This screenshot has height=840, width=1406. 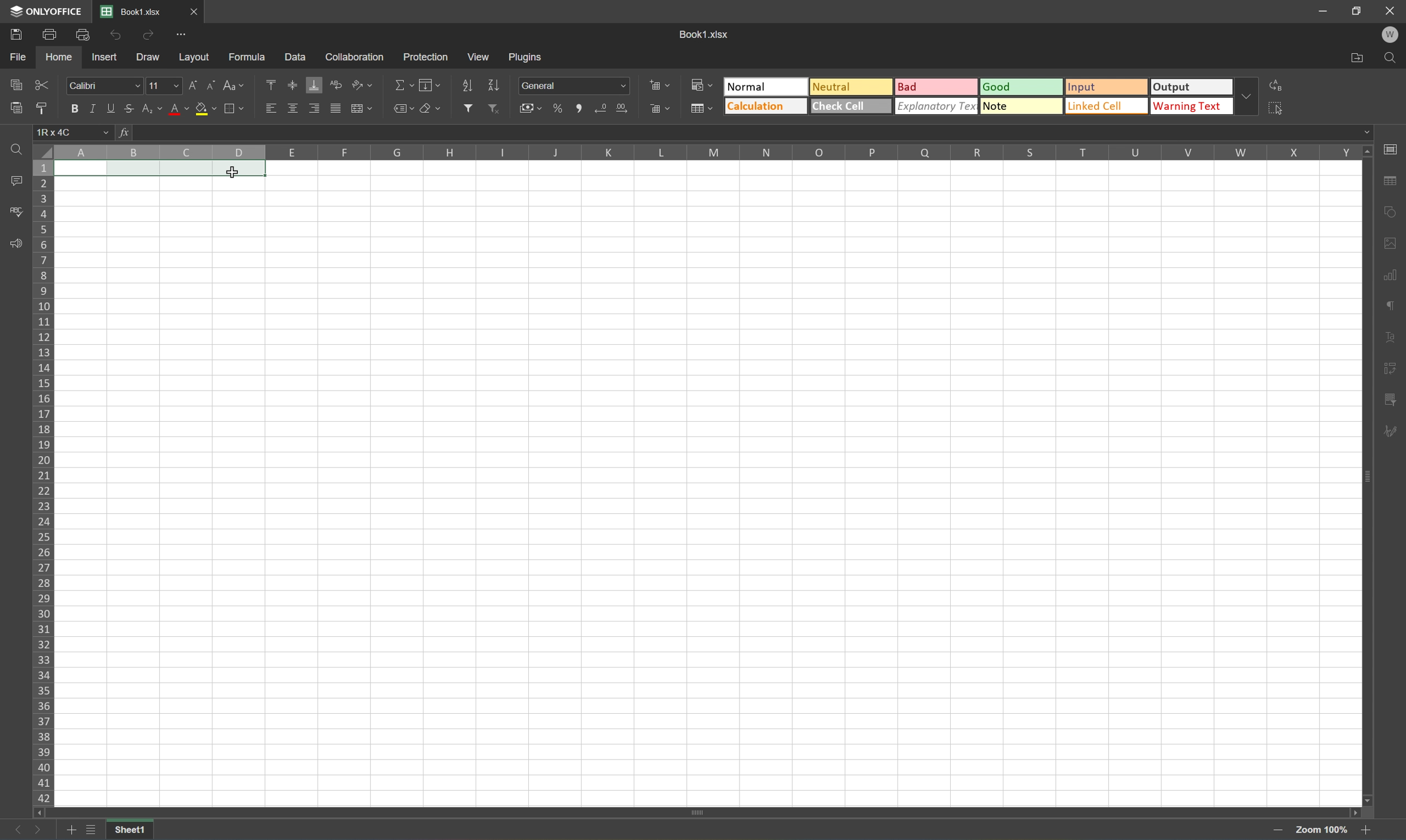 What do you see at coordinates (574, 85) in the screenshot?
I see `Number formal` at bounding box center [574, 85].